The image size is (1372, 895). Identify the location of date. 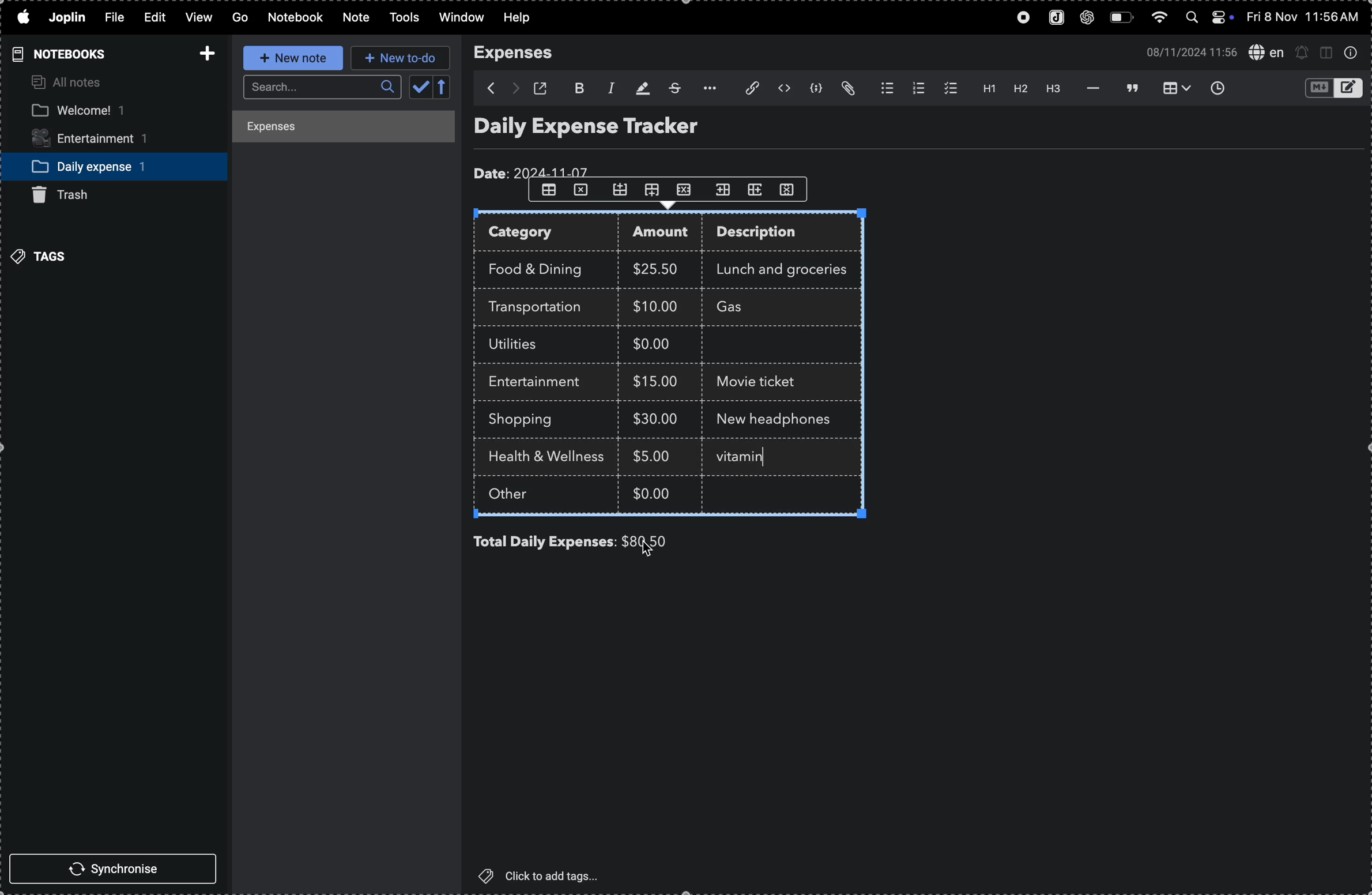
(534, 170).